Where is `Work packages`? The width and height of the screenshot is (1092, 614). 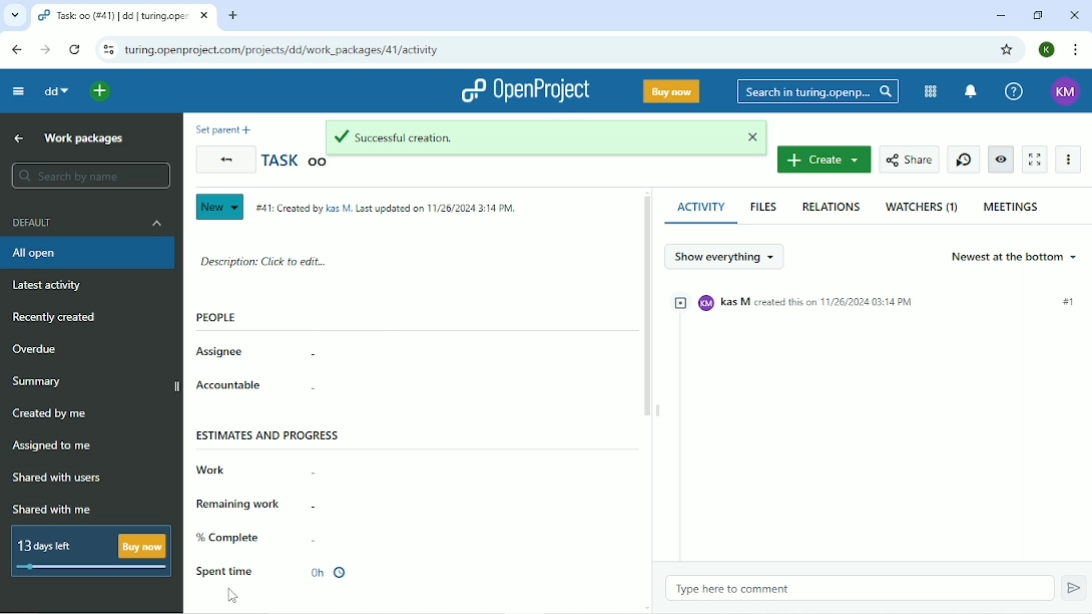 Work packages is located at coordinates (83, 138).